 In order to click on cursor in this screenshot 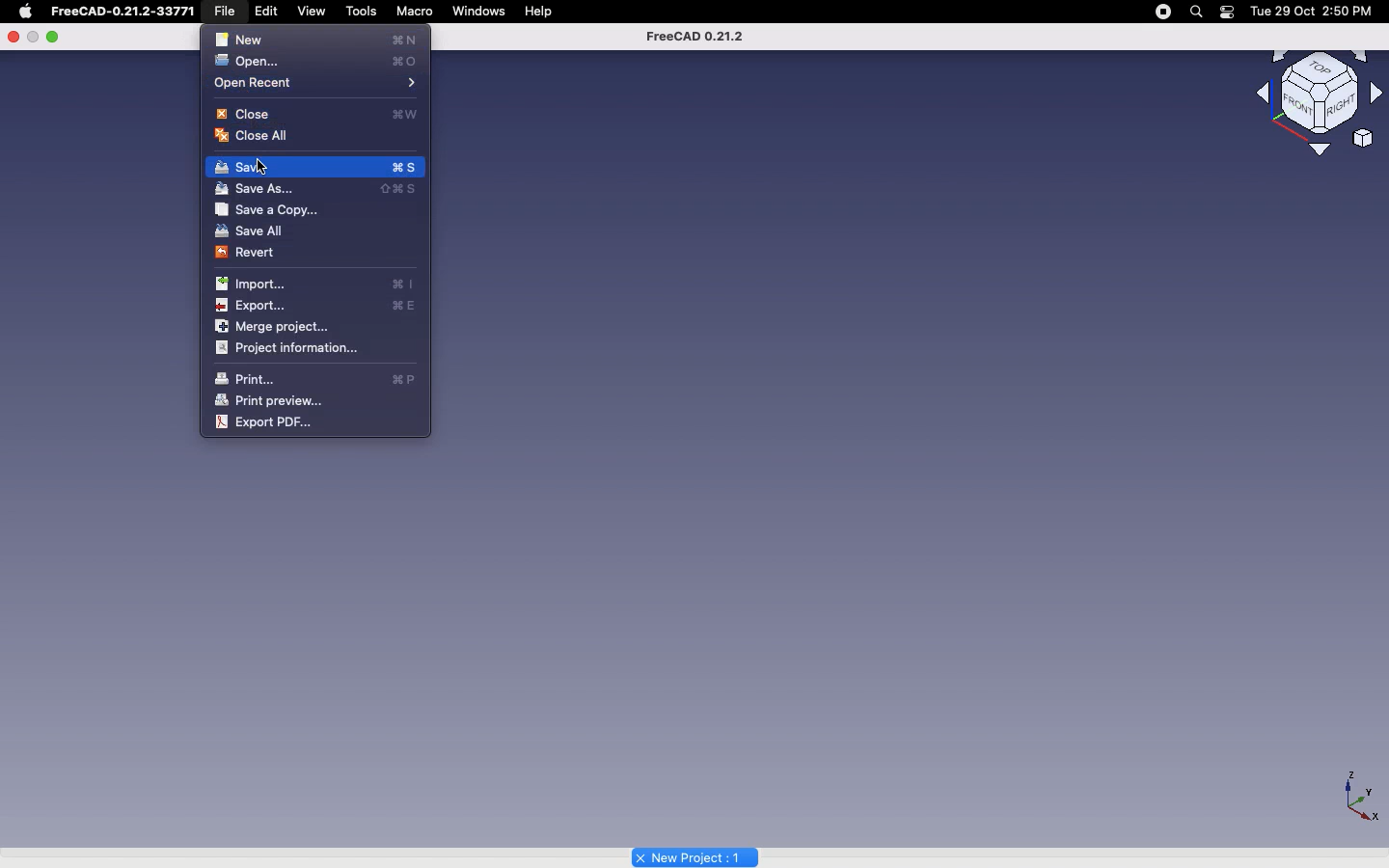, I will do `click(270, 171)`.